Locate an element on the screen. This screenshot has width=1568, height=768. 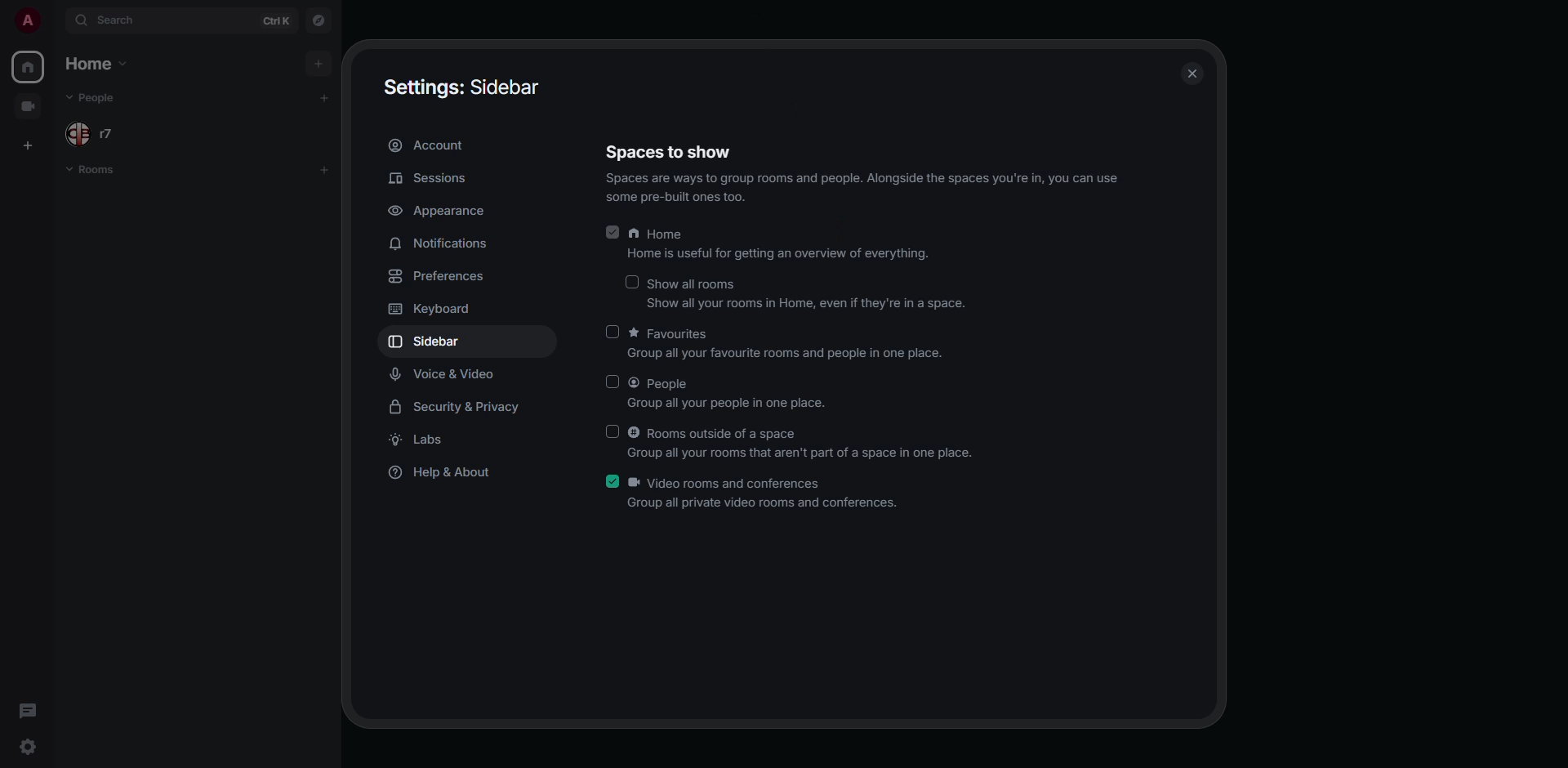
* Favourites
Group all your favourite rooms and people in one place. is located at coordinates (790, 345).